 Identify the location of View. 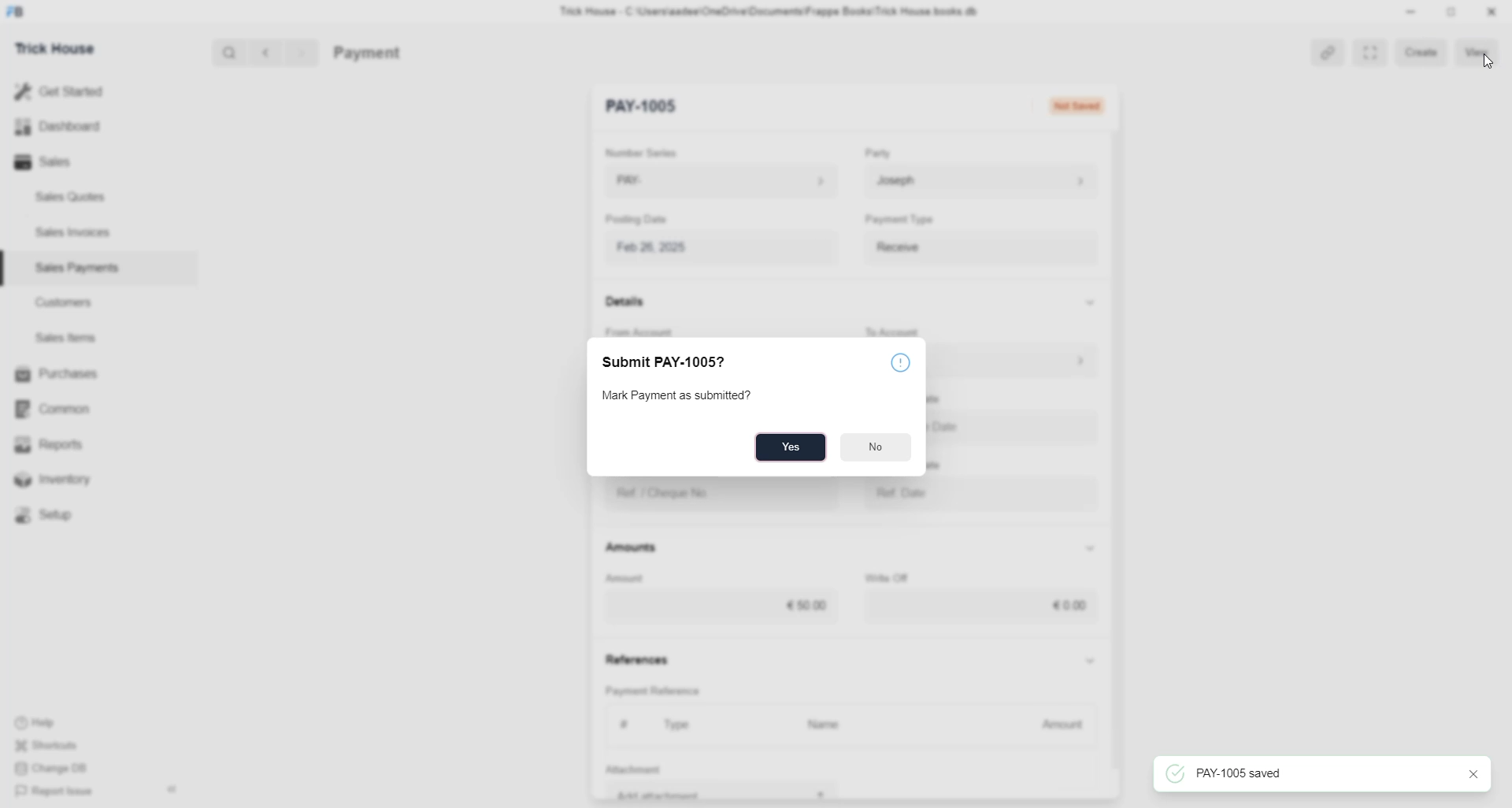
(1479, 53).